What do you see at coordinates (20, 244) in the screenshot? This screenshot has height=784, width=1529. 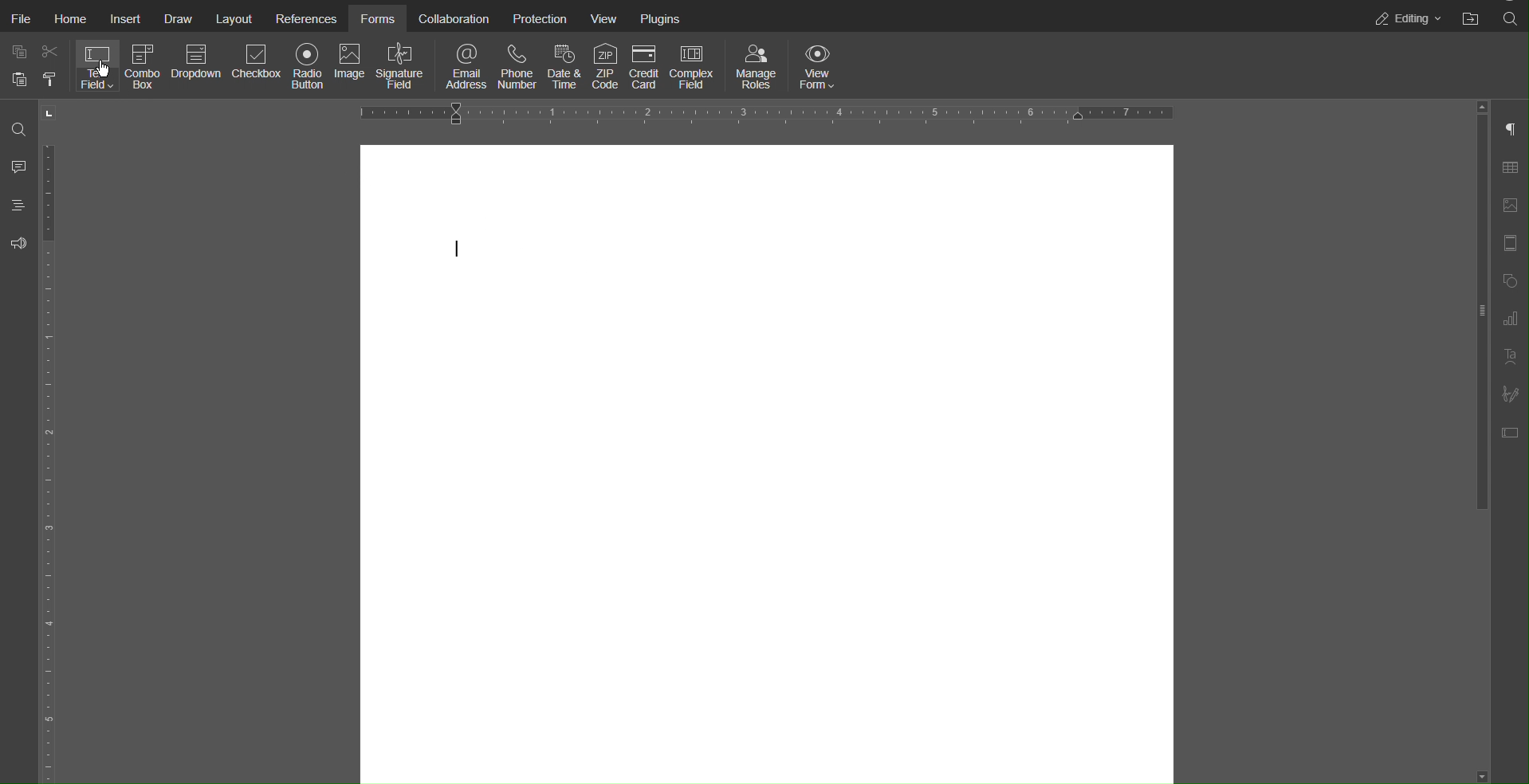 I see `Feedback & Support` at bounding box center [20, 244].